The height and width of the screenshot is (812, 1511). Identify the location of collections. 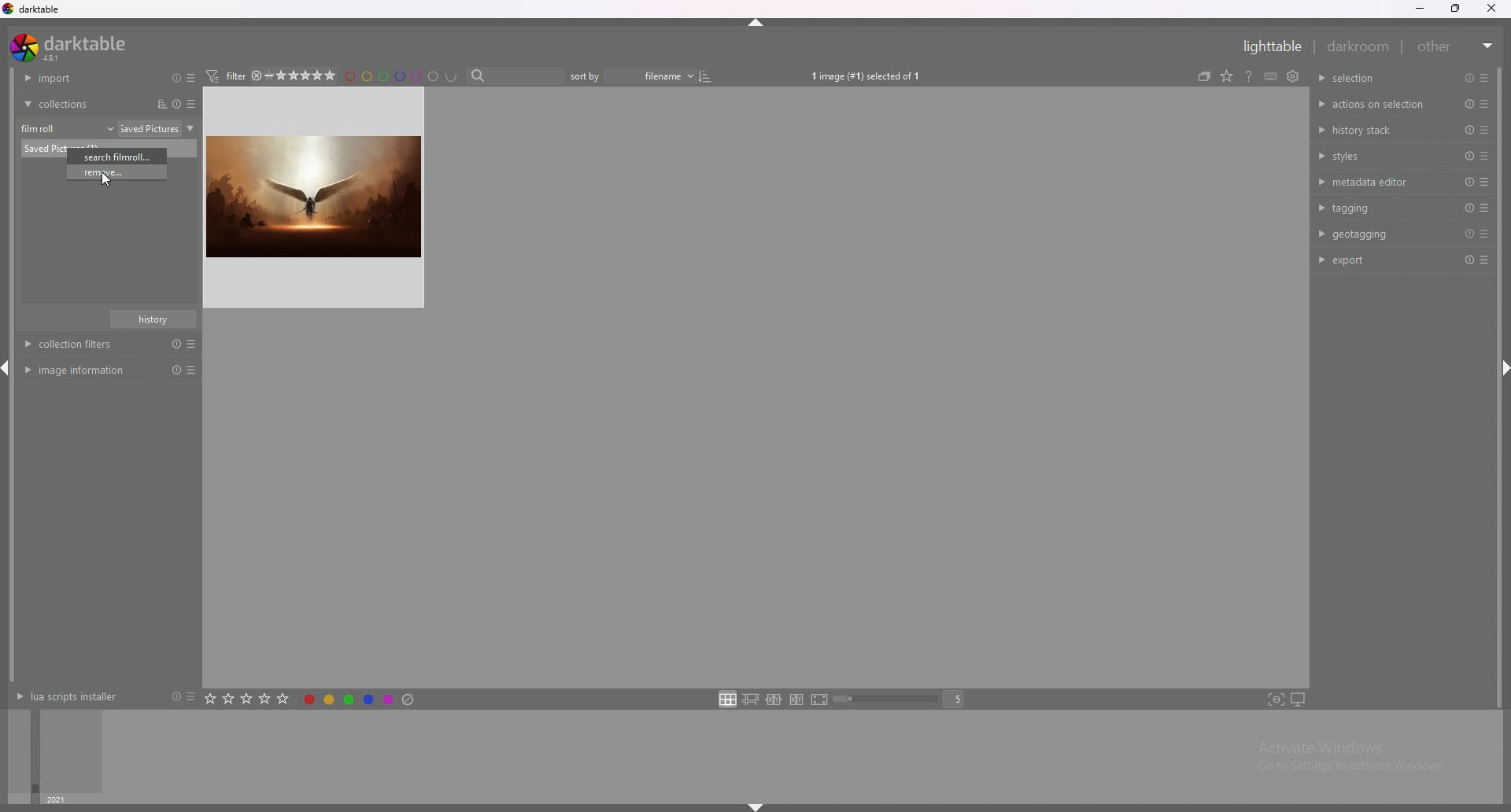
(80, 104).